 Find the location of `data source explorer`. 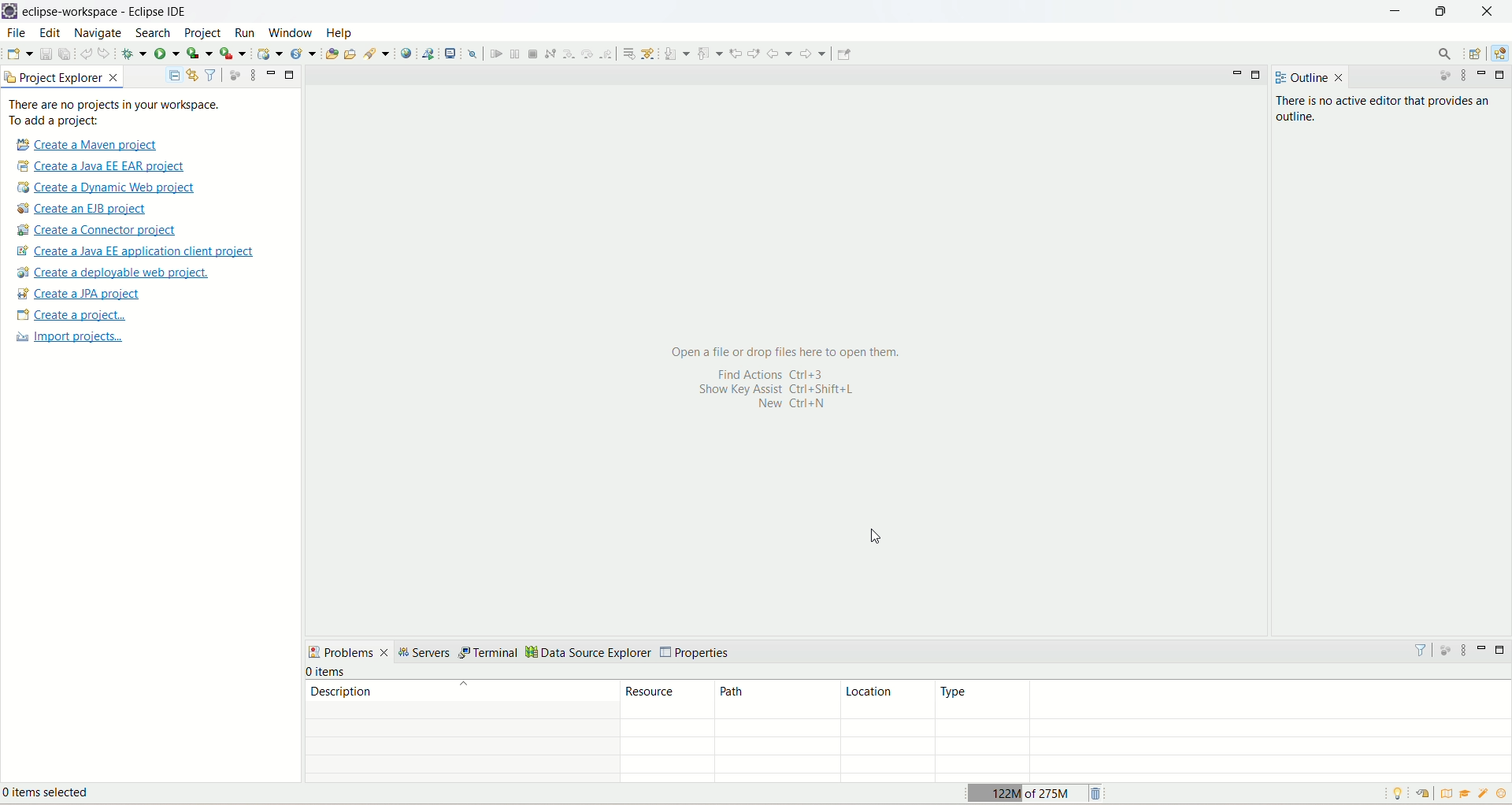

data source explorer is located at coordinates (589, 654).